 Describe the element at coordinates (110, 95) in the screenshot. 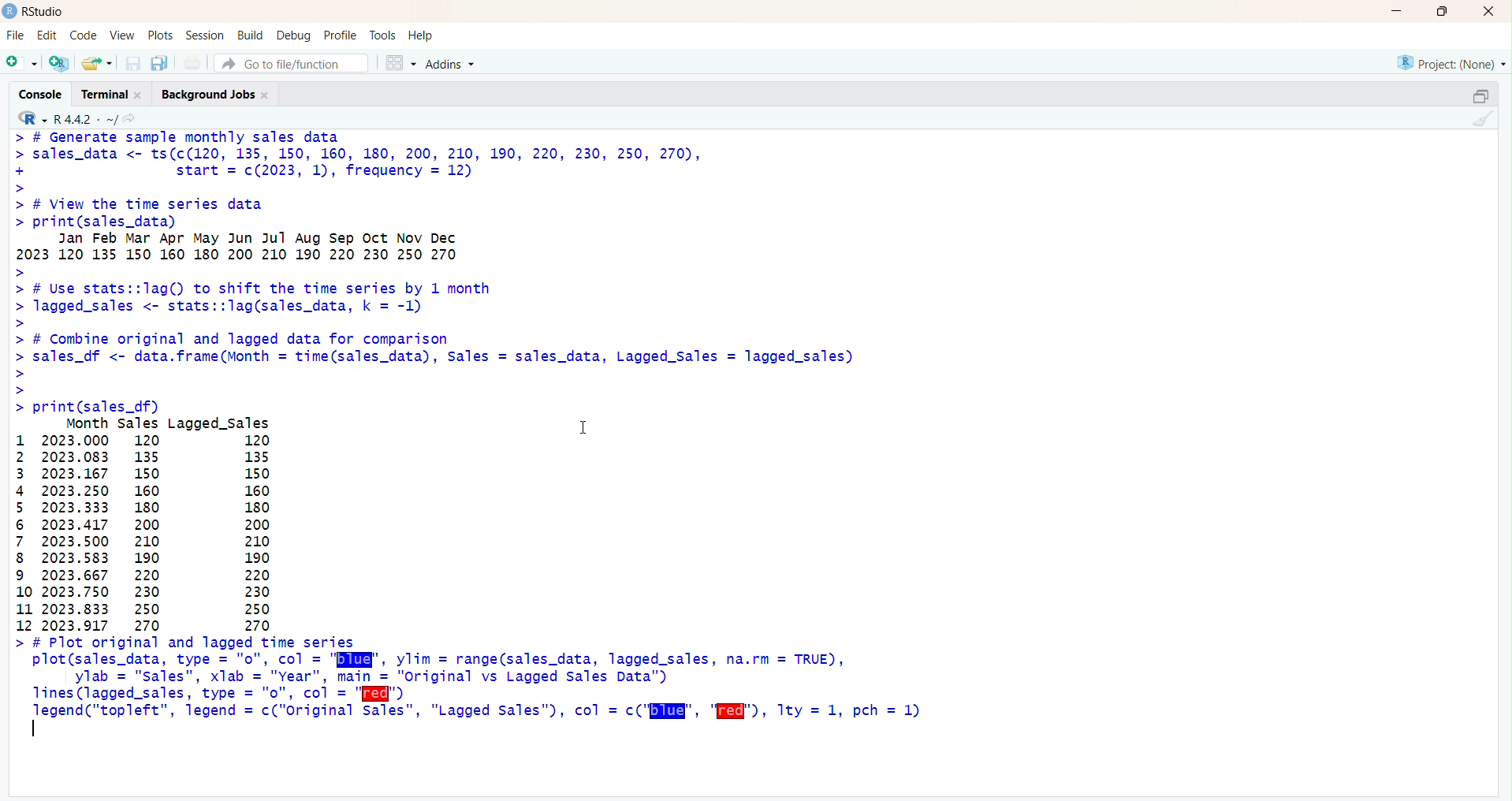

I see `terminal` at that location.